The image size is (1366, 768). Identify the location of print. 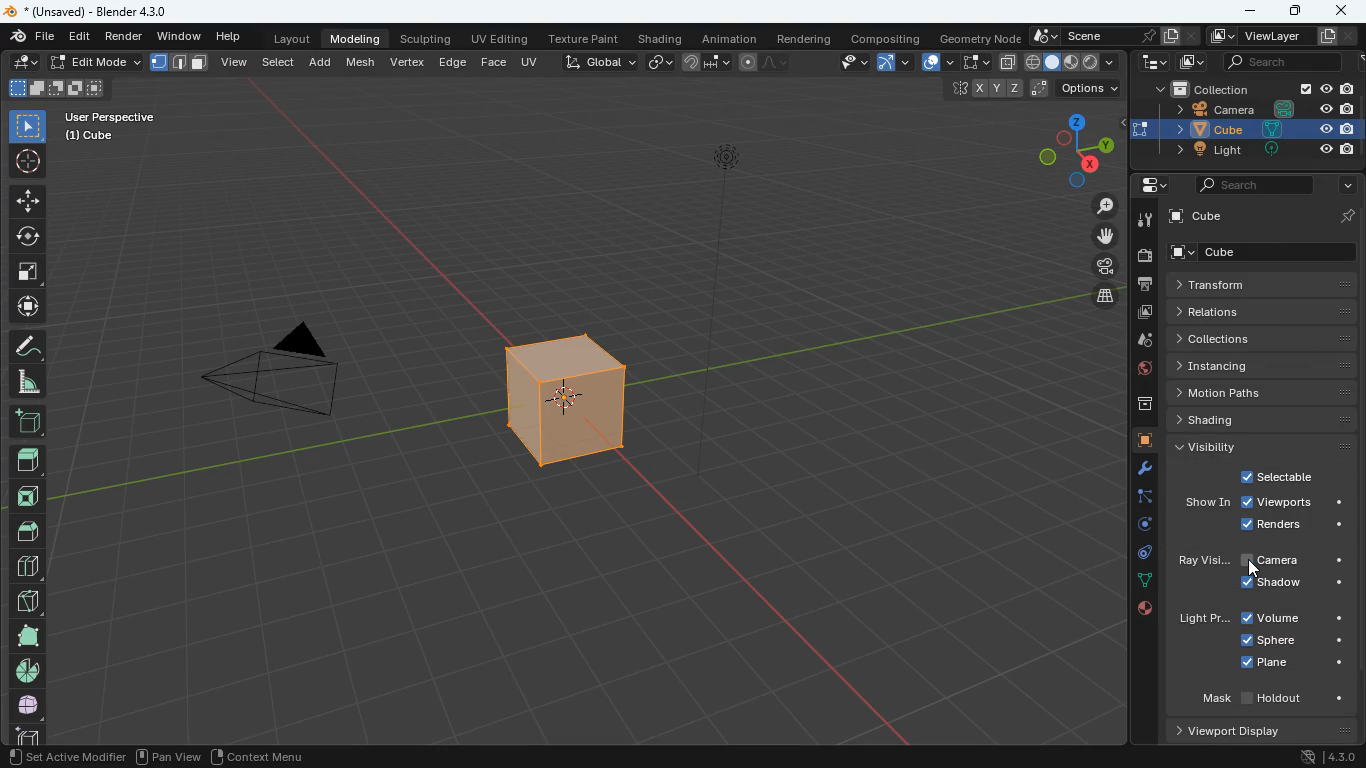
(1148, 286).